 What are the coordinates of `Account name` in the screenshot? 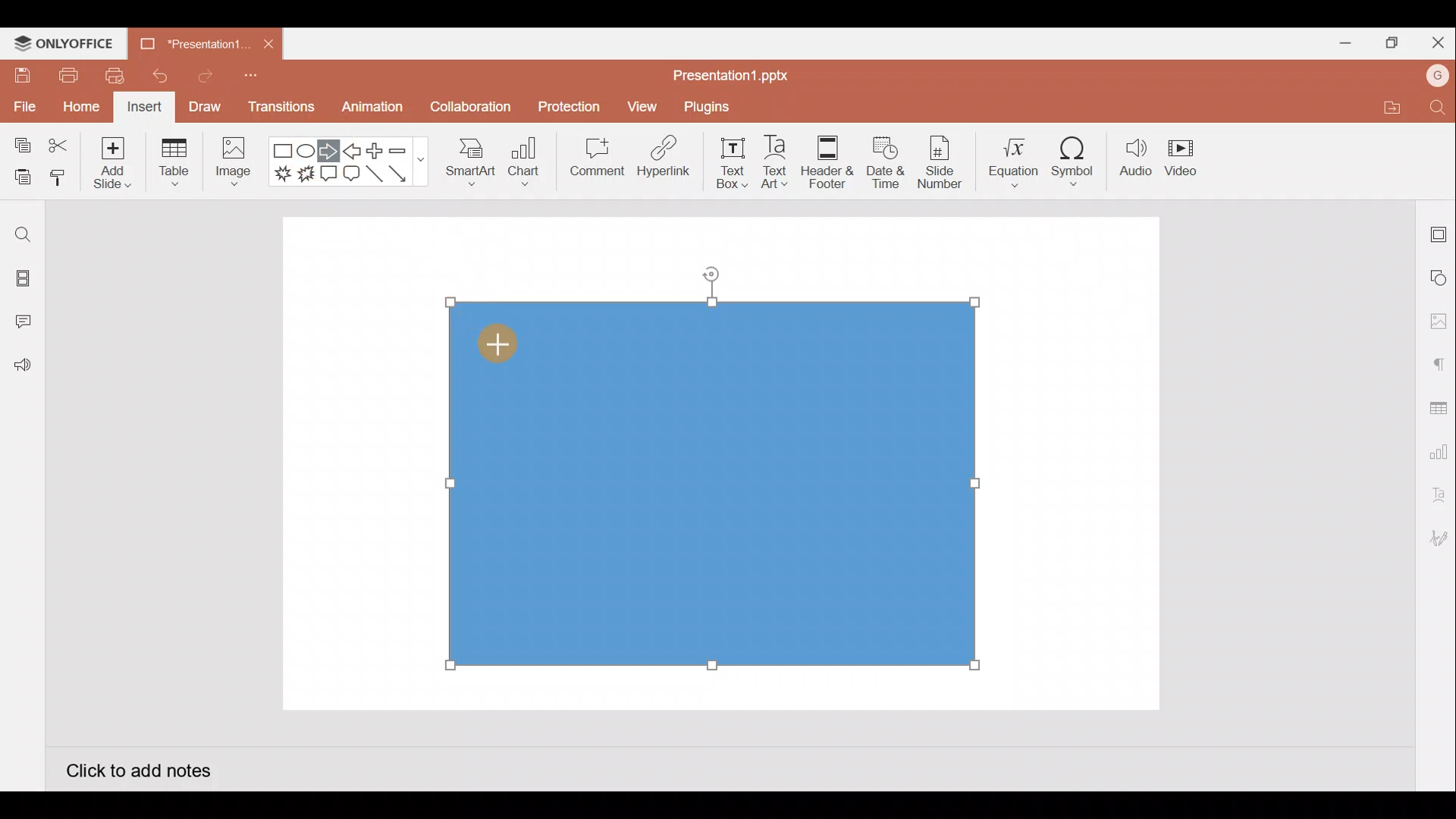 It's located at (1438, 76).